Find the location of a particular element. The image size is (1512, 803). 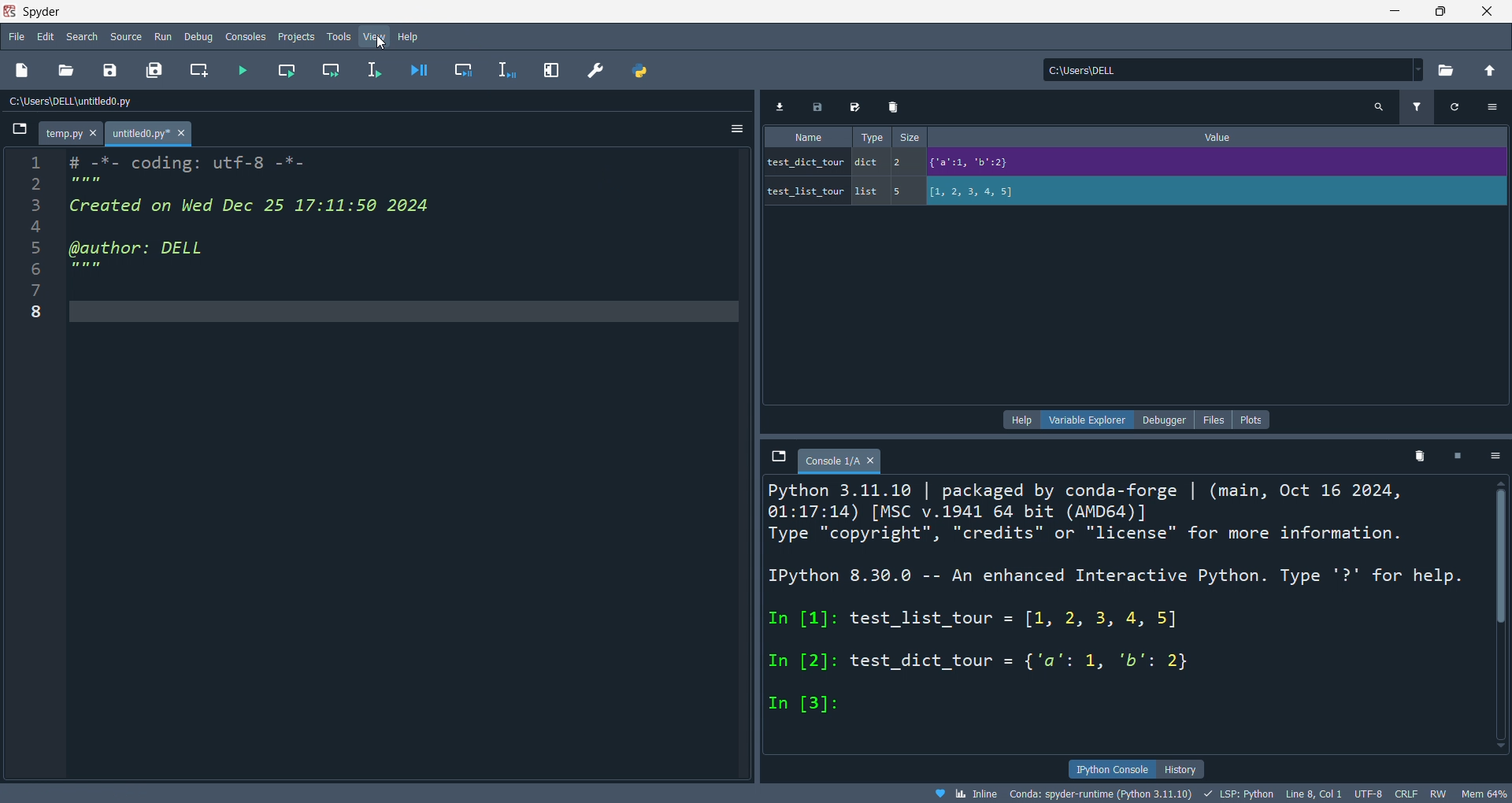

view is located at coordinates (373, 37).